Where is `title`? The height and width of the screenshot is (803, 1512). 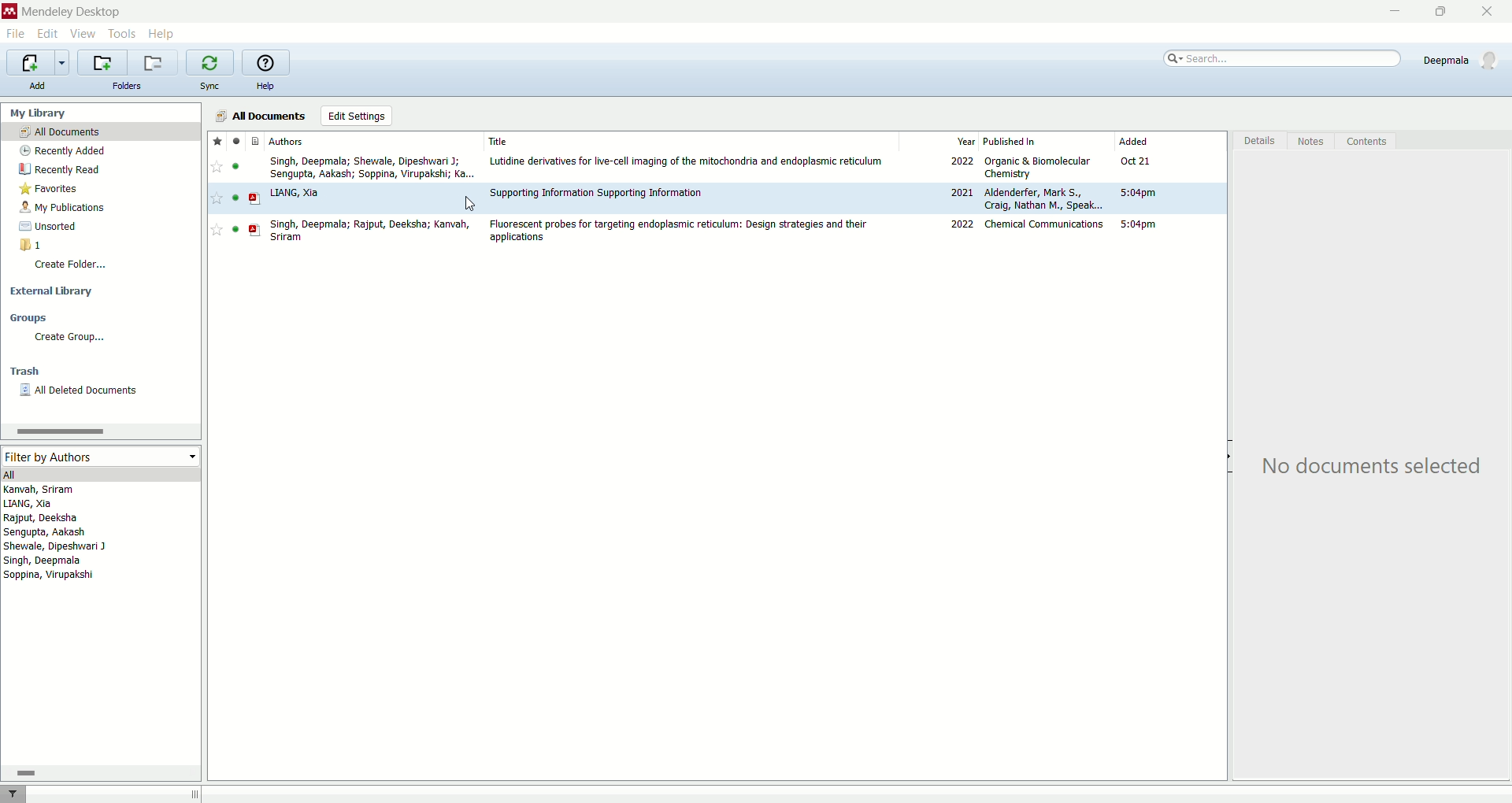
title is located at coordinates (498, 141).